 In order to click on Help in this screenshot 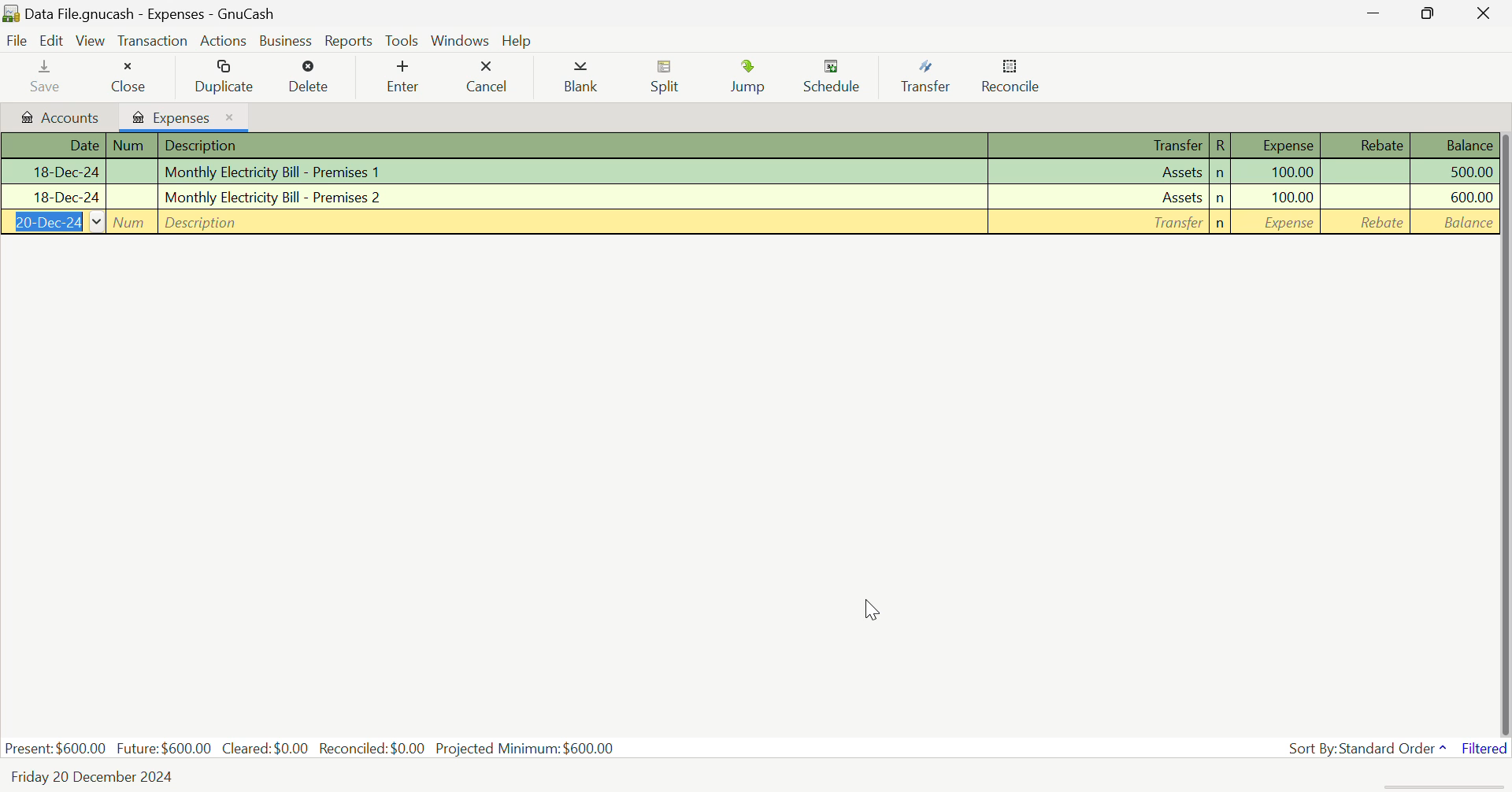, I will do `click(517, 40)`.